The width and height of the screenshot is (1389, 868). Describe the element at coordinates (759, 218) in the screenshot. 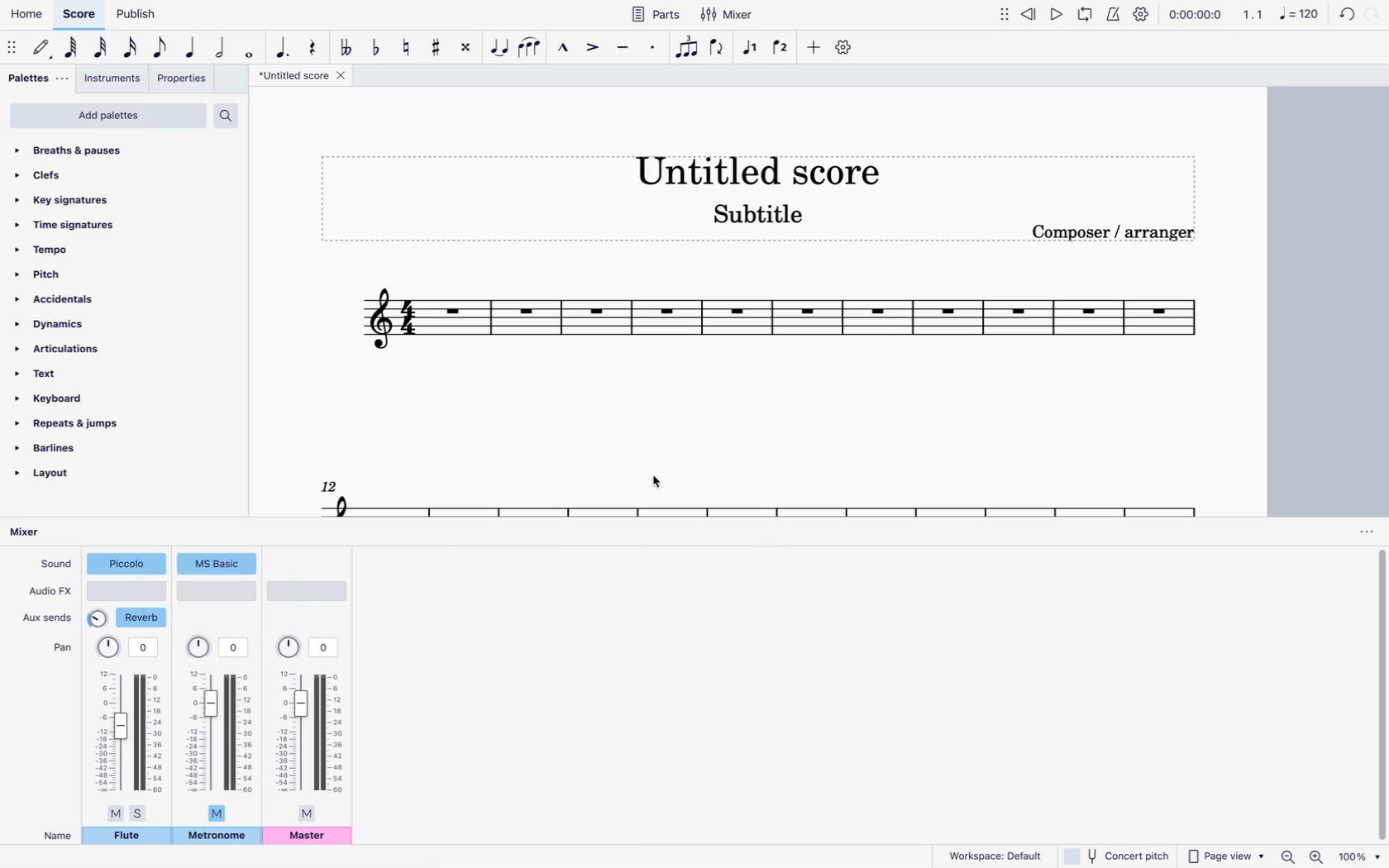

I see `score subtitle` at that location.